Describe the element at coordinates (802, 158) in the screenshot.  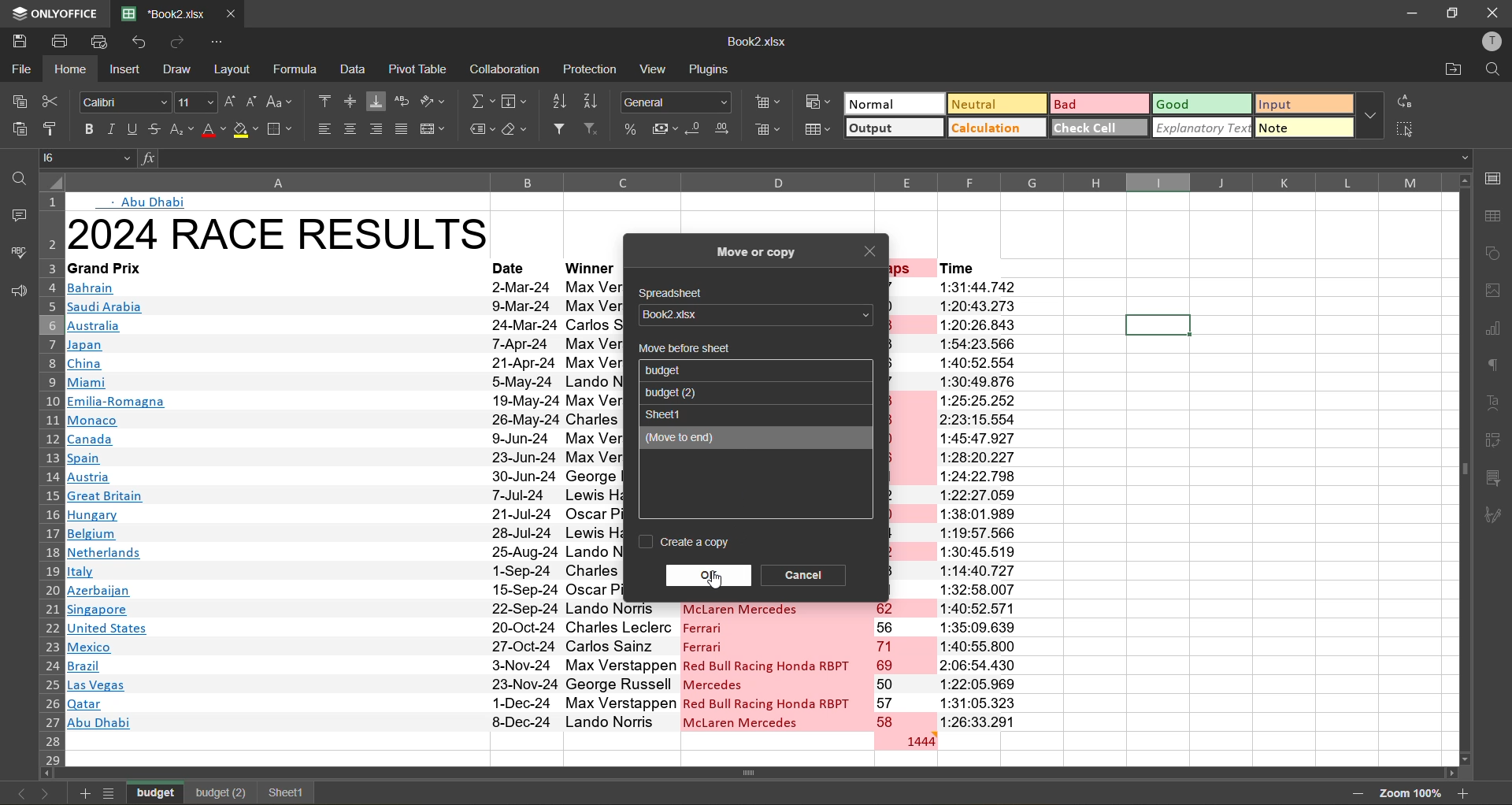
I see `formula bar` at that location.